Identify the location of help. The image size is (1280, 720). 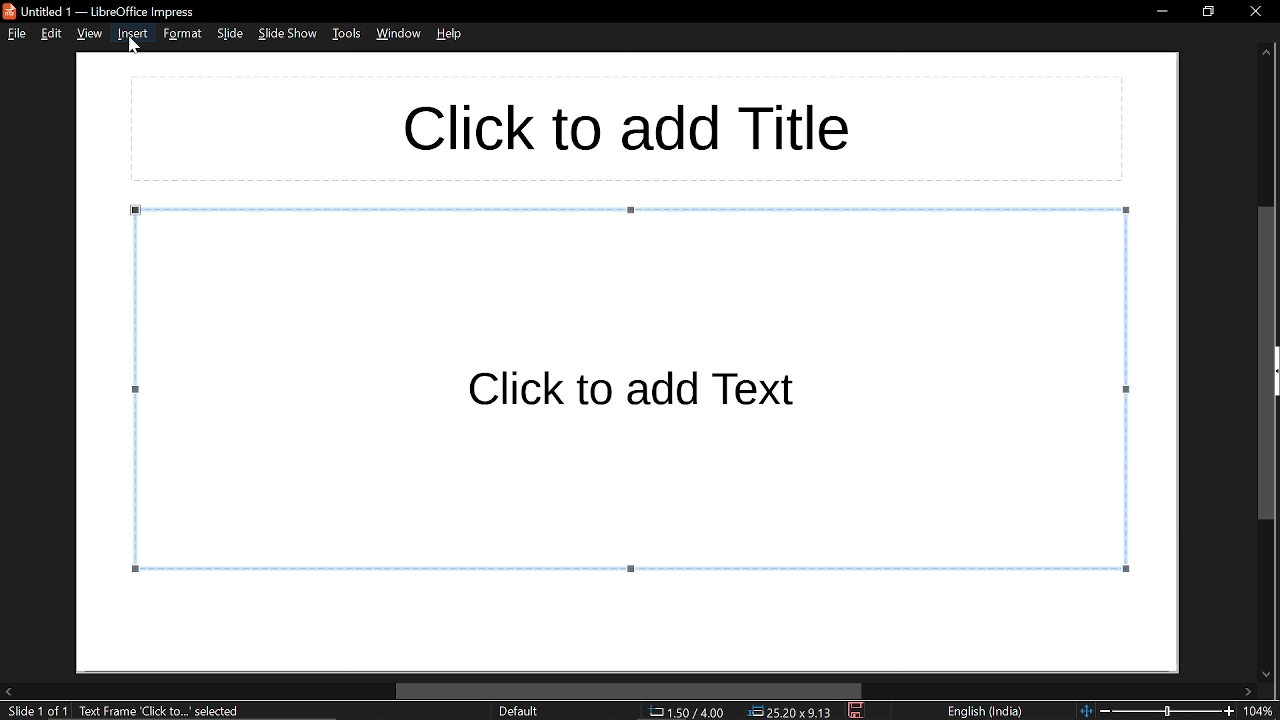
(453, 33).